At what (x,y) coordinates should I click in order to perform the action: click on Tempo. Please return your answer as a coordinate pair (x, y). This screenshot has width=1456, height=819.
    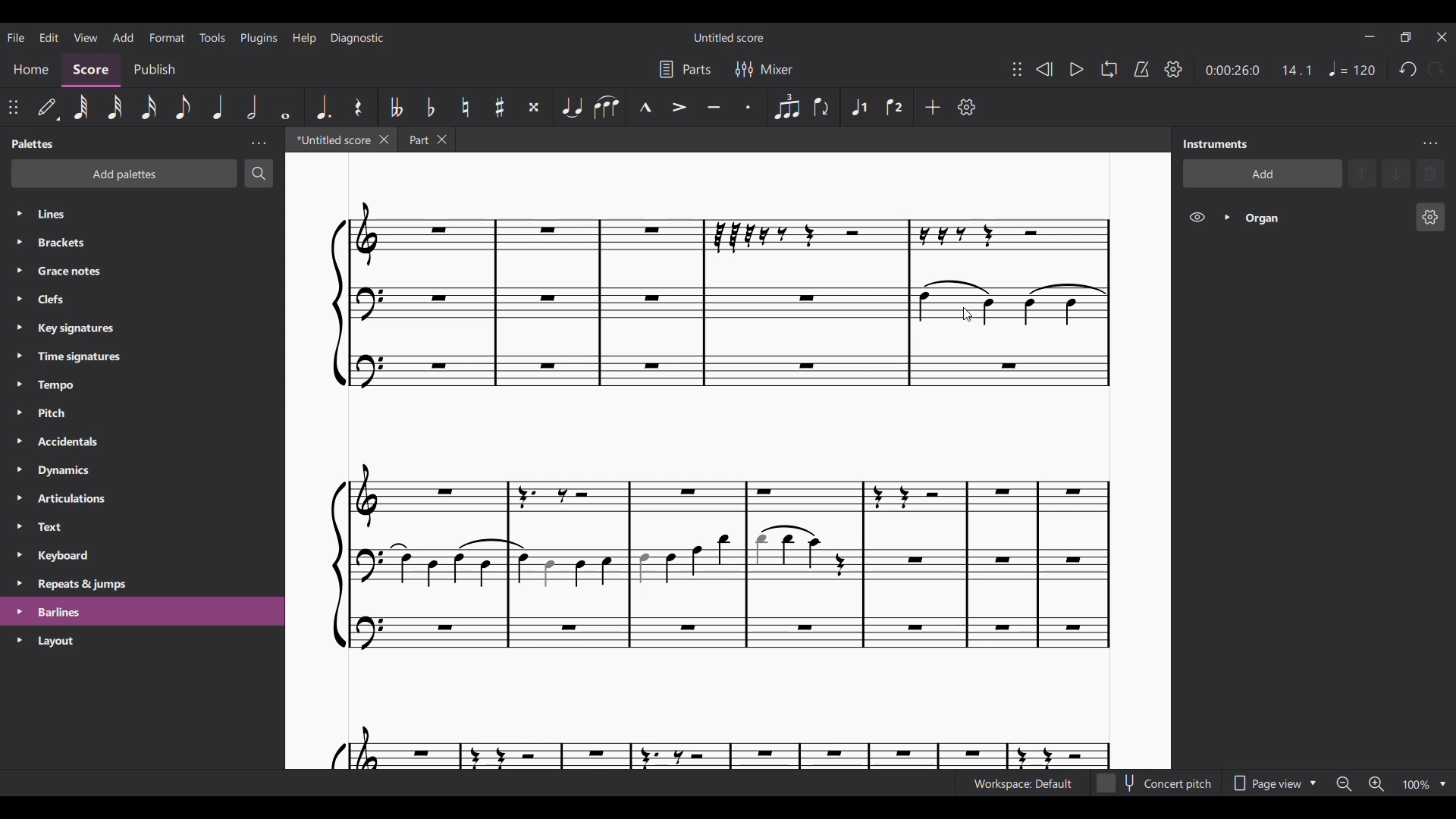
    Looking at the image, I should click on (1351, 68).